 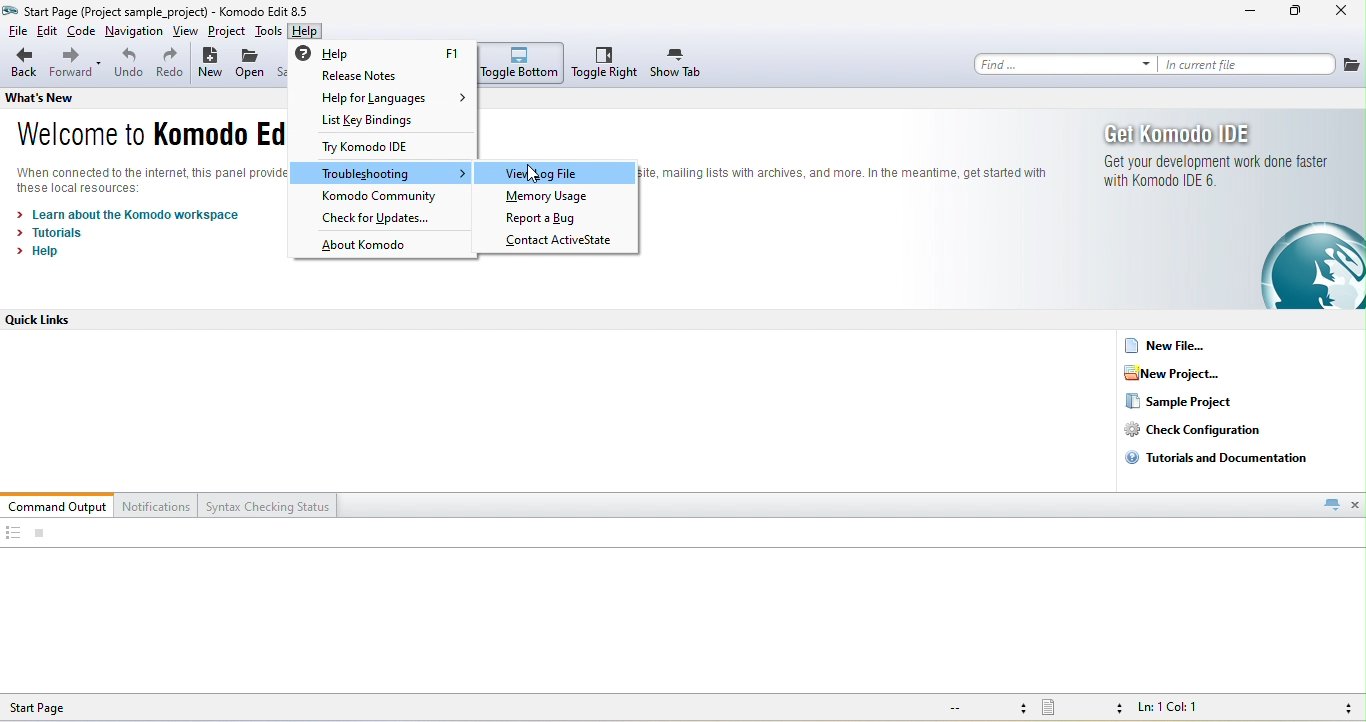 I want to click on toggle view, so click(x=12, y=534).